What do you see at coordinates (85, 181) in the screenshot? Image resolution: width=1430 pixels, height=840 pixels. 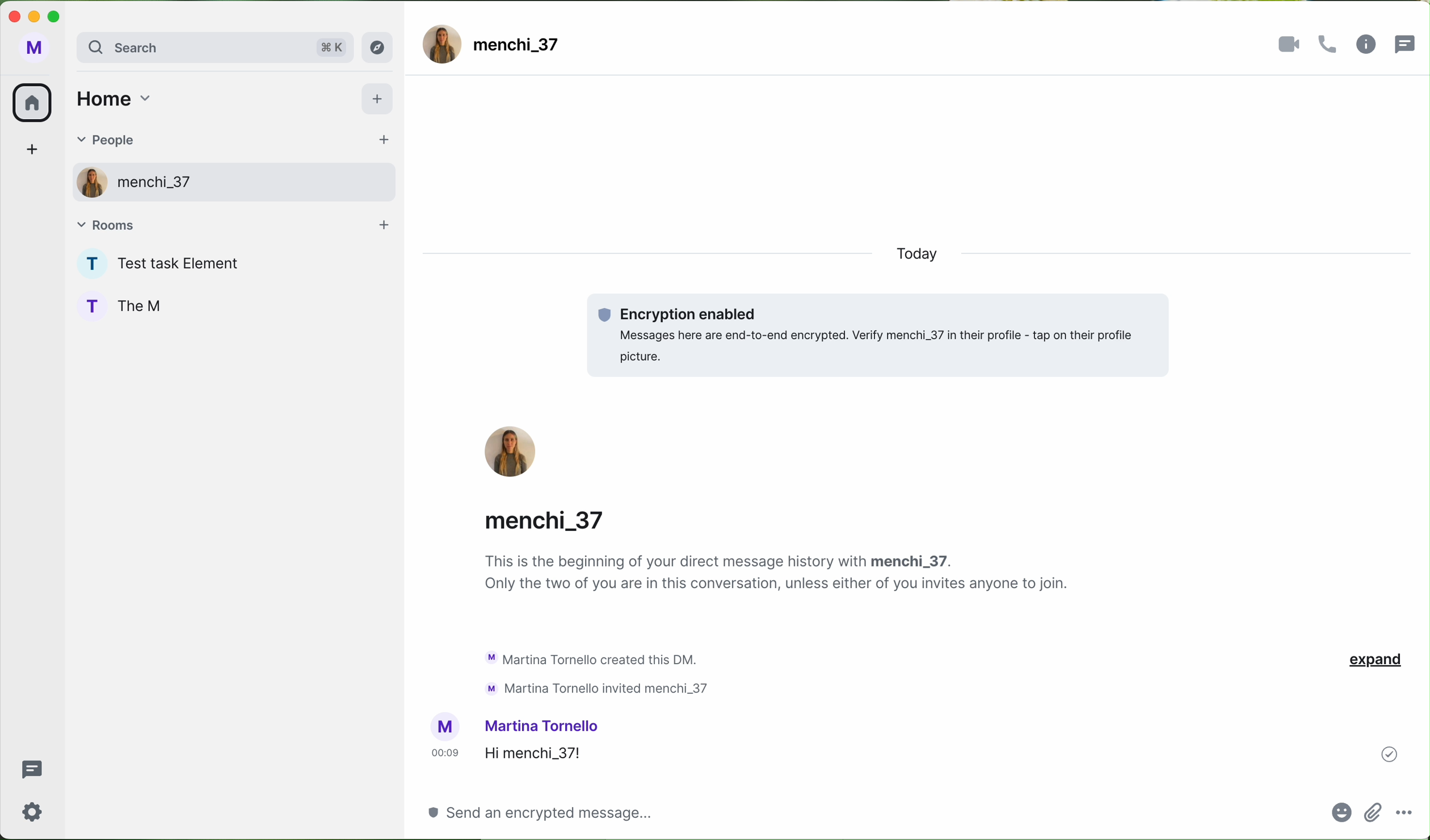 I see `profile` at bounding box center [85, 181].